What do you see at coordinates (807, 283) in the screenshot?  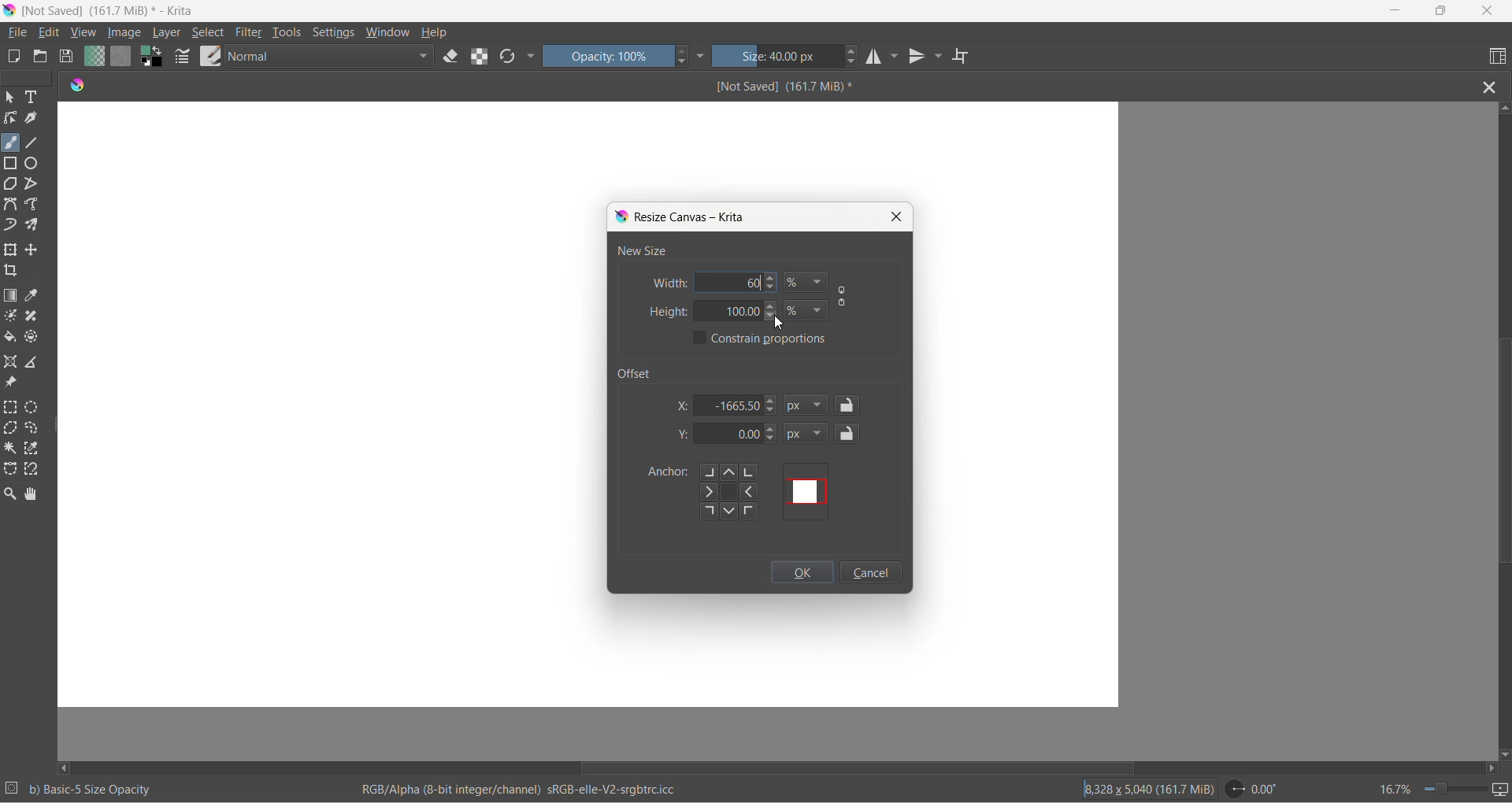 I see `width value type` at bounding box center [807, 283].